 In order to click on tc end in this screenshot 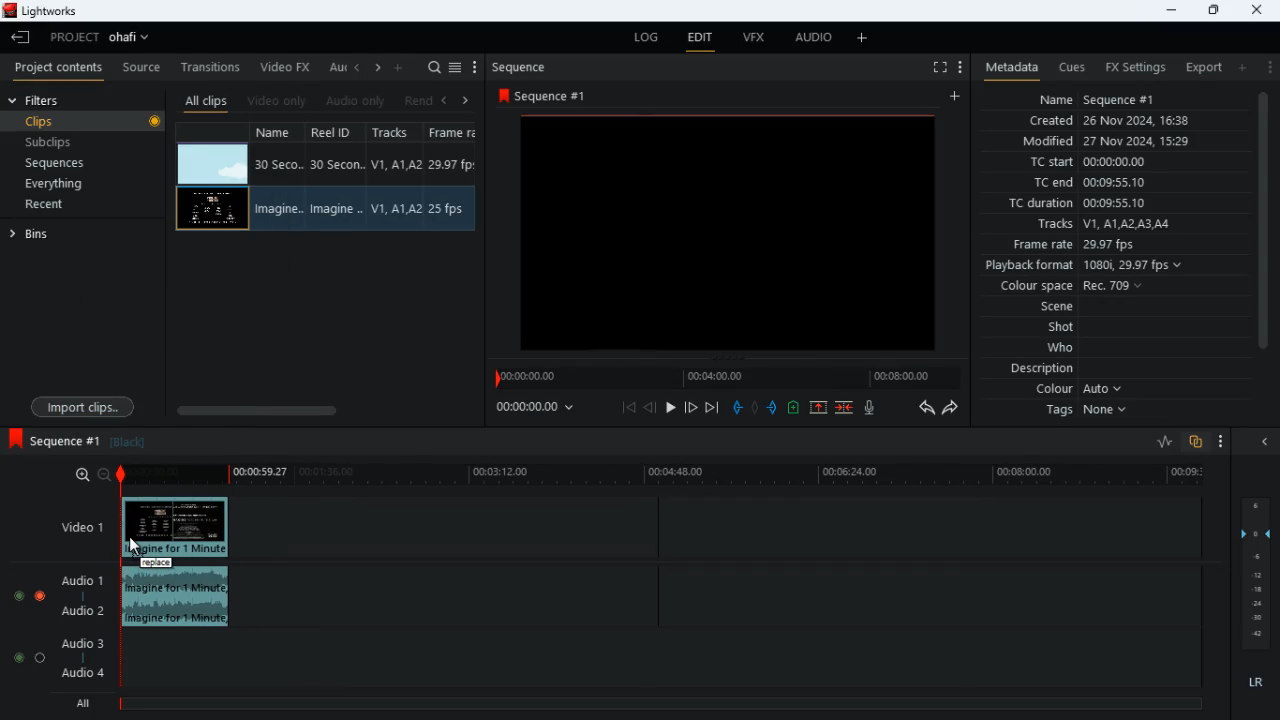, I will do `click(1082, 183)`.